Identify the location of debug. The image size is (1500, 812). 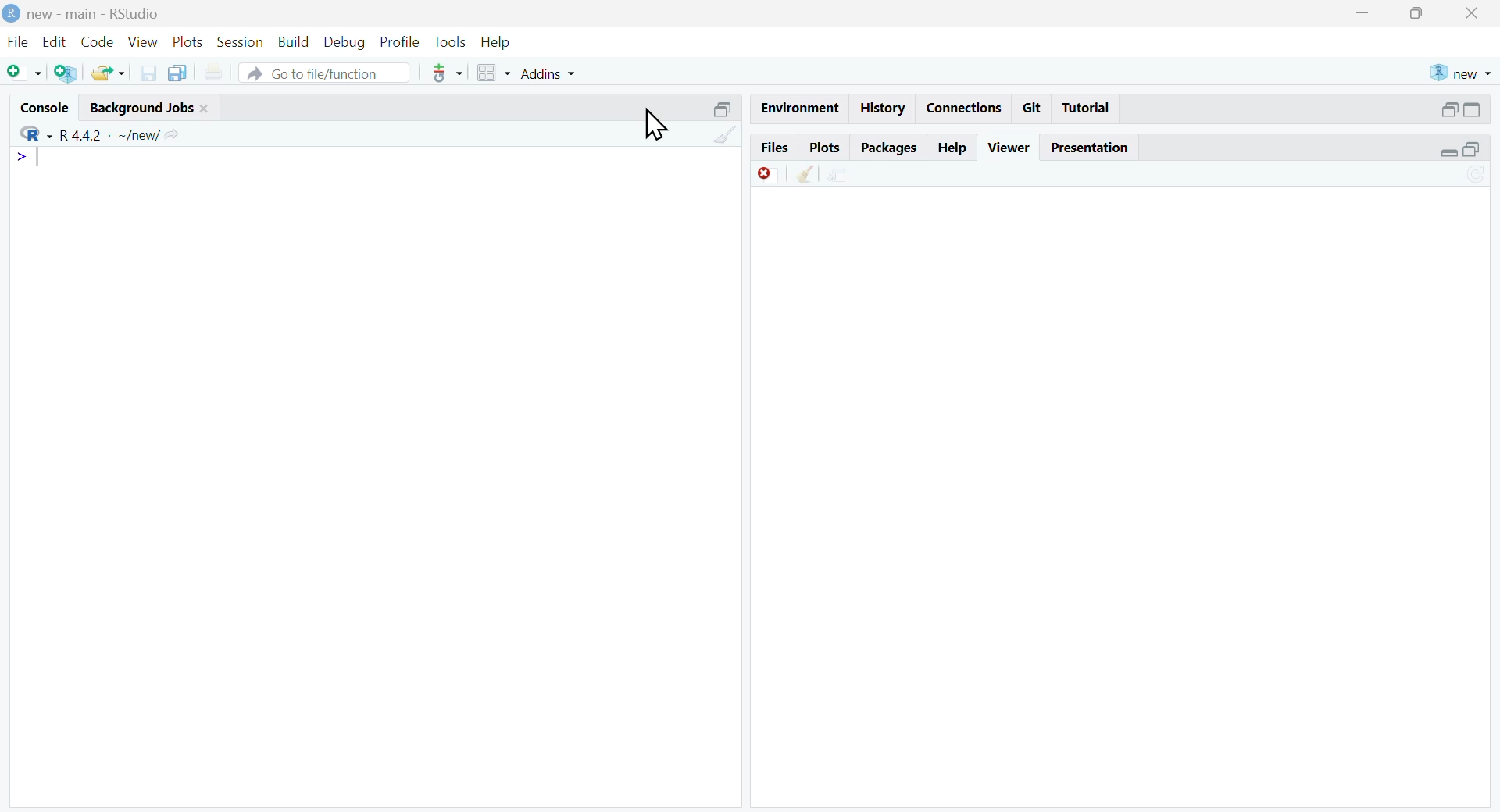
(346, 43).